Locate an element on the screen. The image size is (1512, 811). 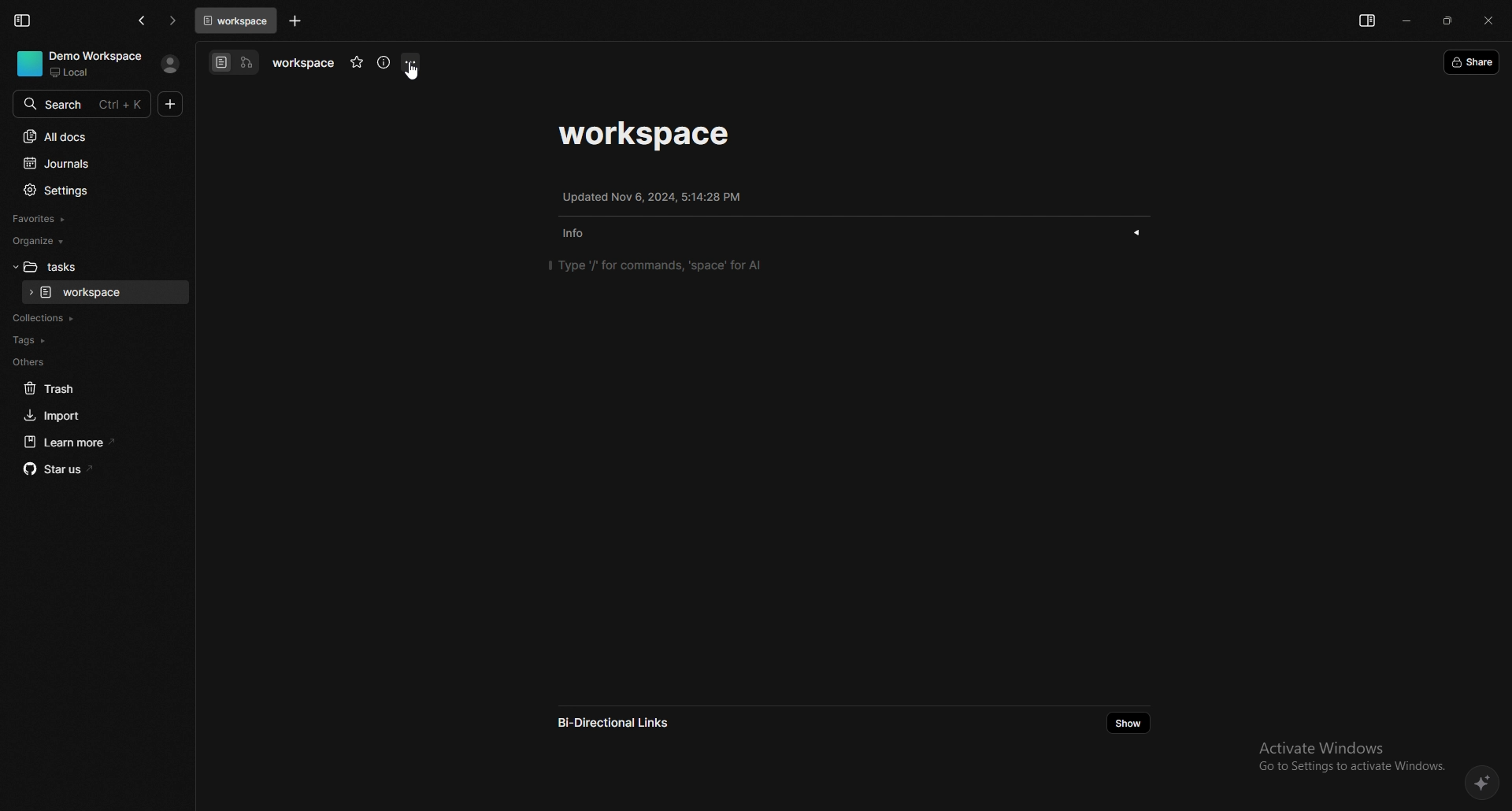
settings is located at coordinates (91, 191).